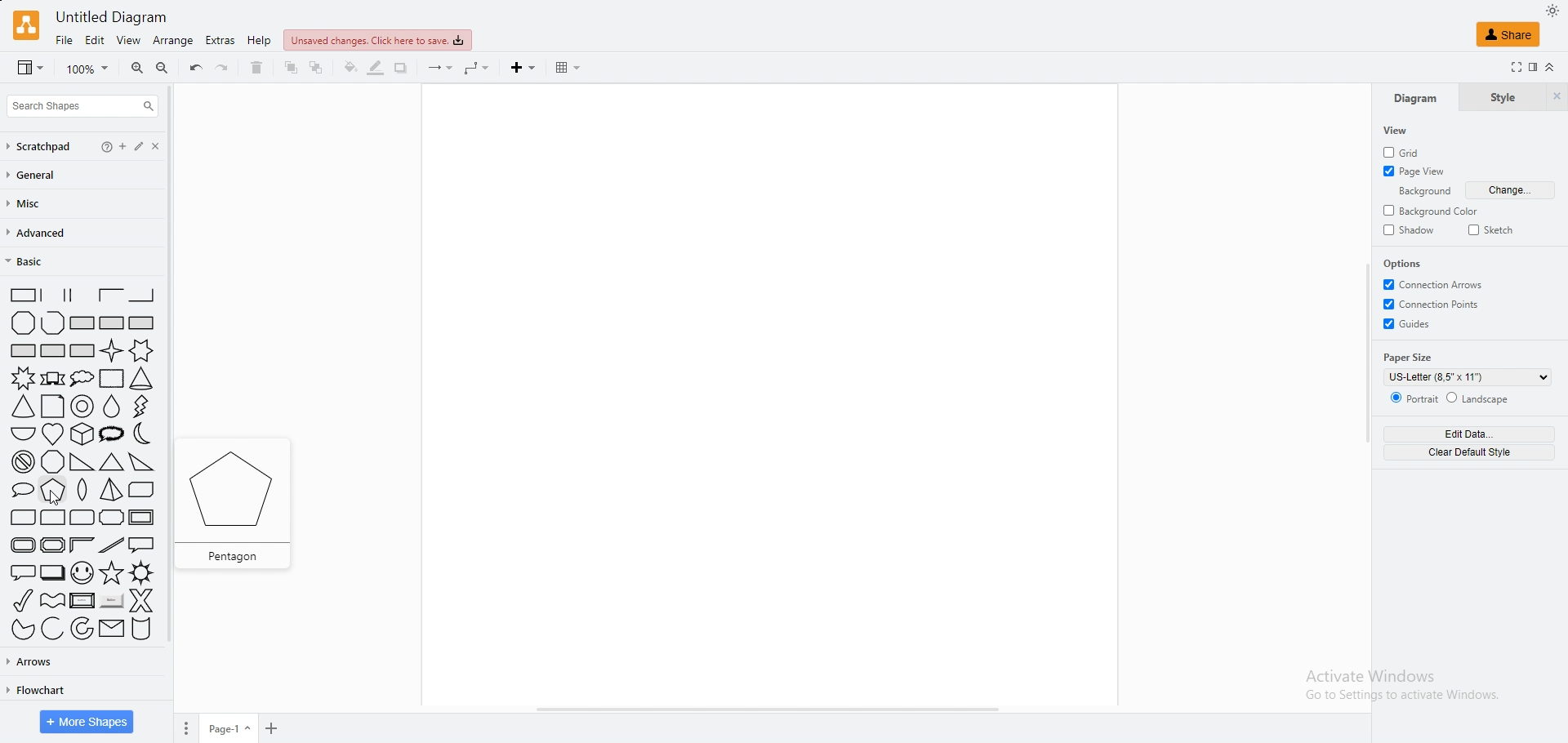 The width and height of the screenshot is (1568, 743). Describe the element at coordinates (112, 350) in the screenshot. I see `4 point star` at that location.